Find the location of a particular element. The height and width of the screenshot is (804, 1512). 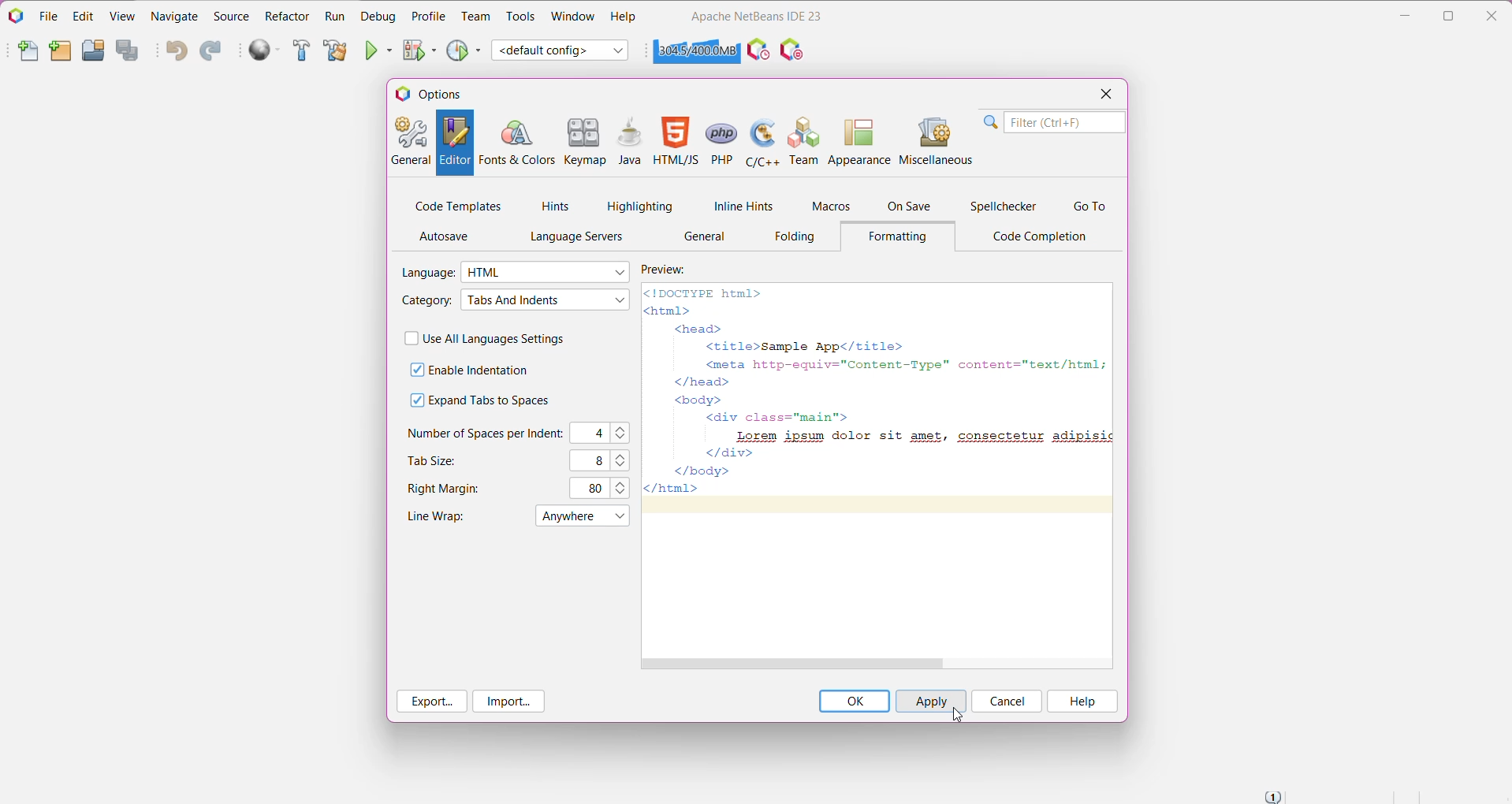

Import is located at coordinates (508, 702).